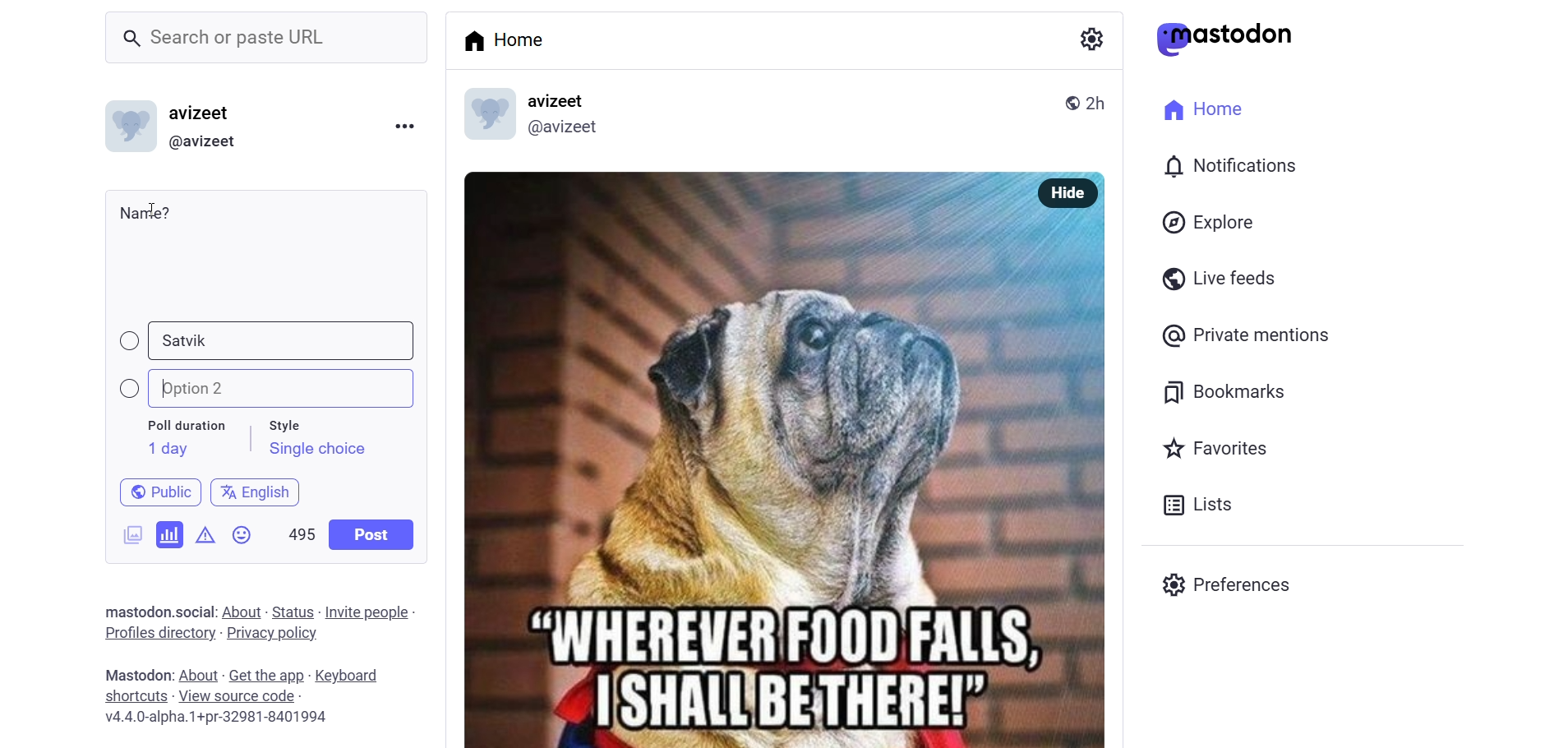 Image resolution: width=1568 pixels, height=748 pixels. What do you see at coordinates (145, 212) in the screenshot?
I see `name?` at bounding box center [145, 212].